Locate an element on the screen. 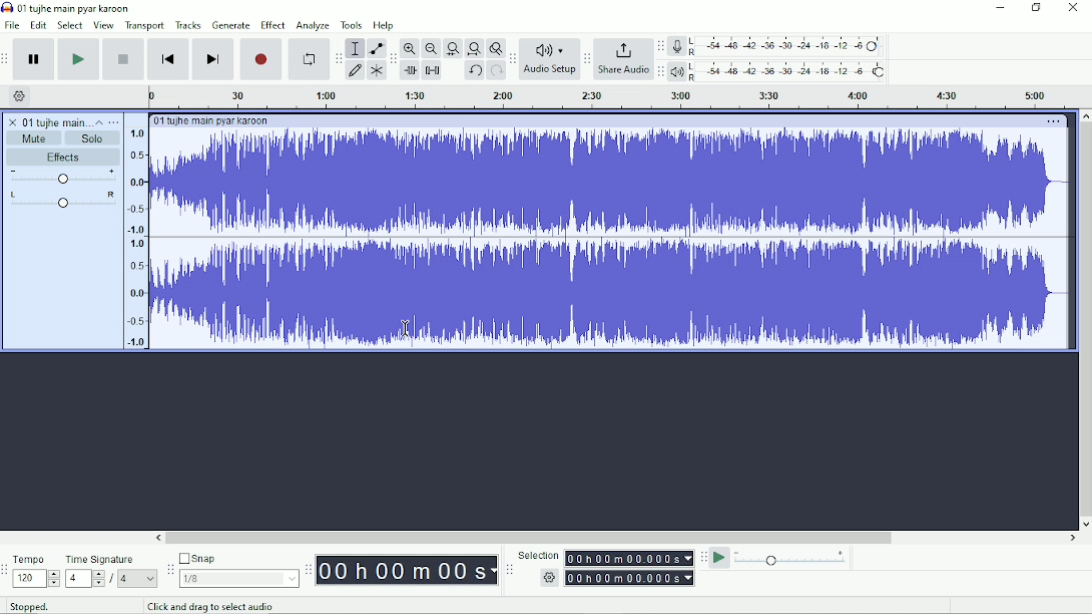 This screenshot has height=614, width=1092. Select is located at coordinates (69, 25).